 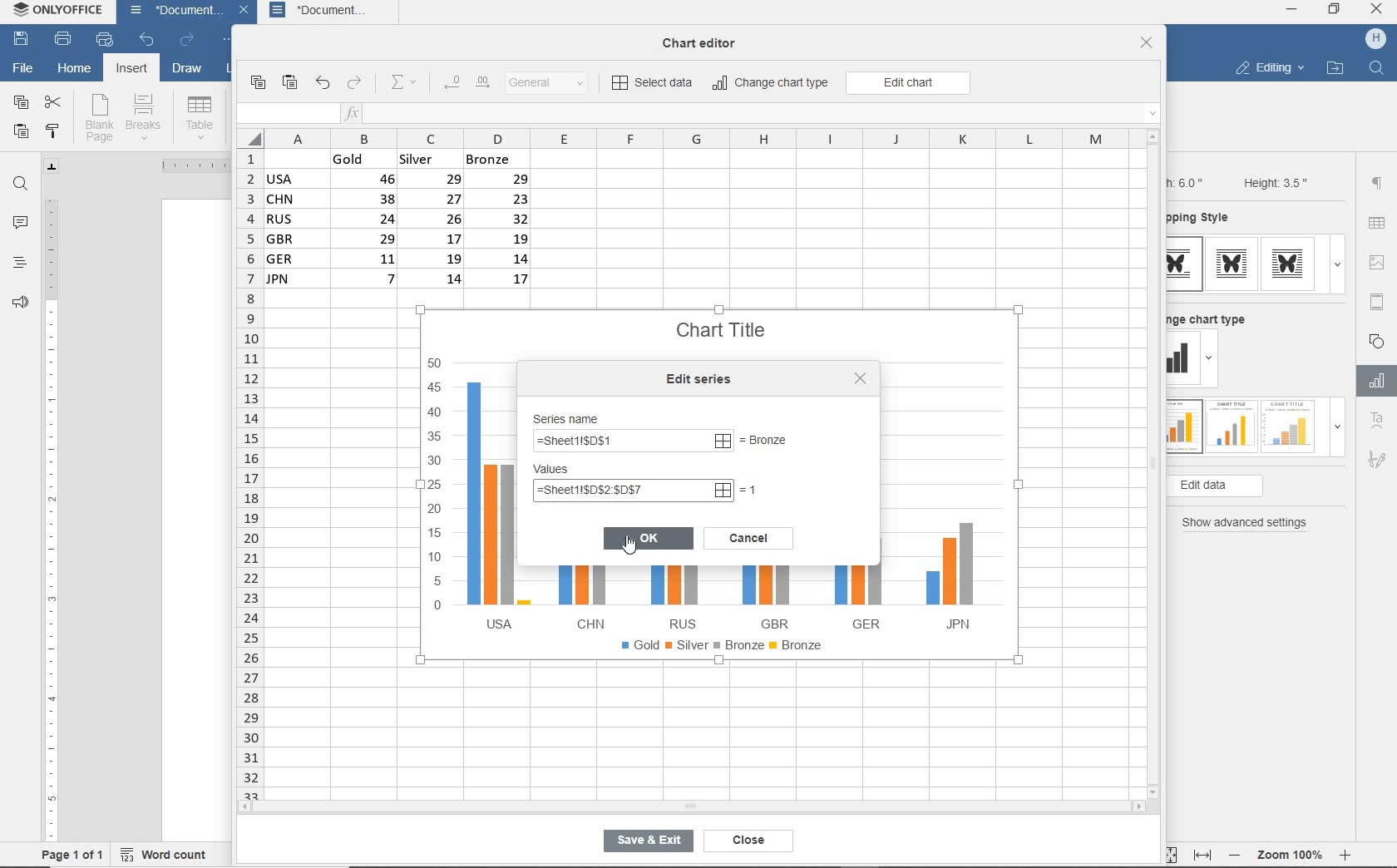 I want to click on close, so click(x=1378, y=11).